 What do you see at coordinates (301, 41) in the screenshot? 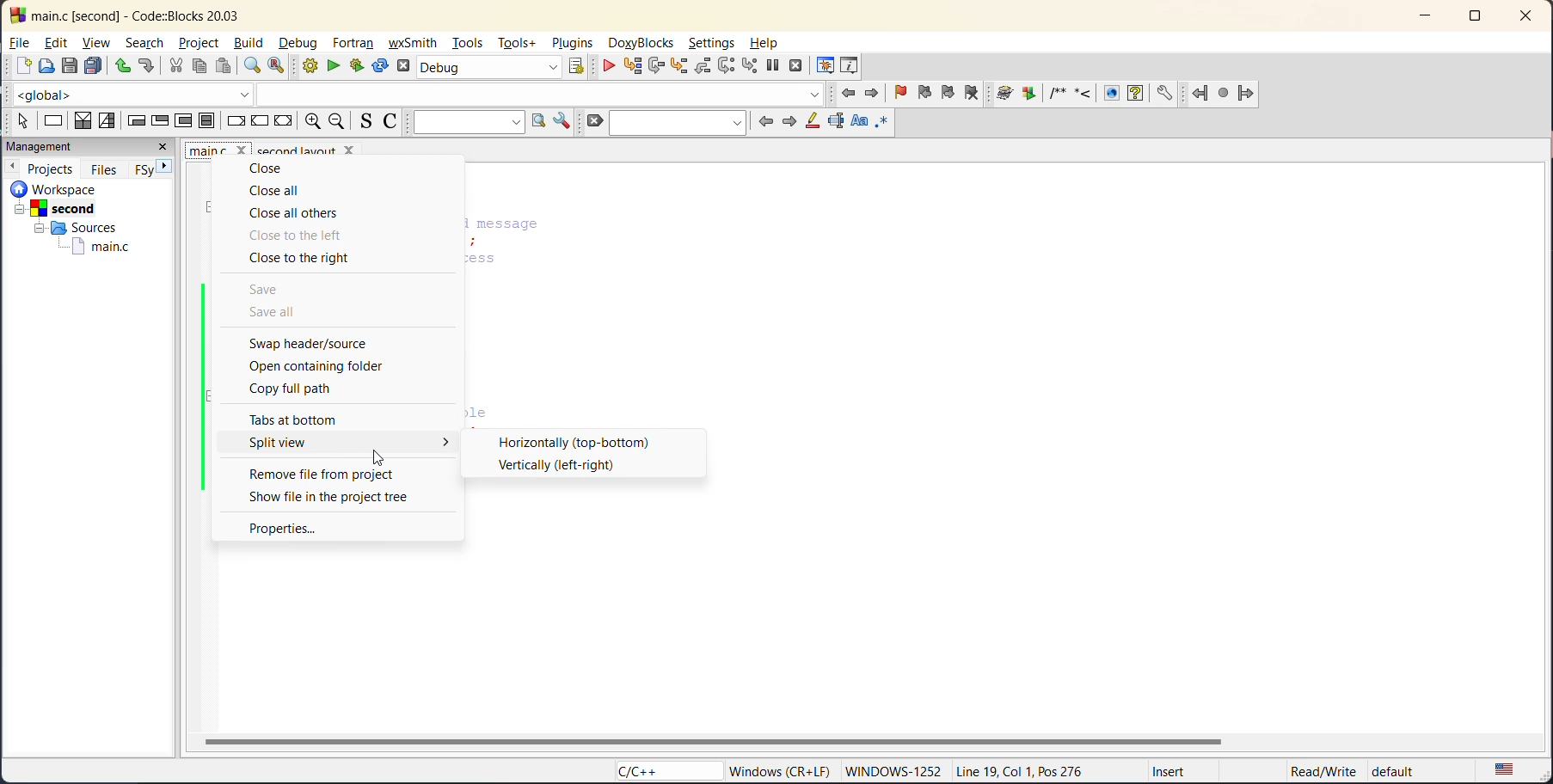
I see `debug` at bounding box center [301, 41].